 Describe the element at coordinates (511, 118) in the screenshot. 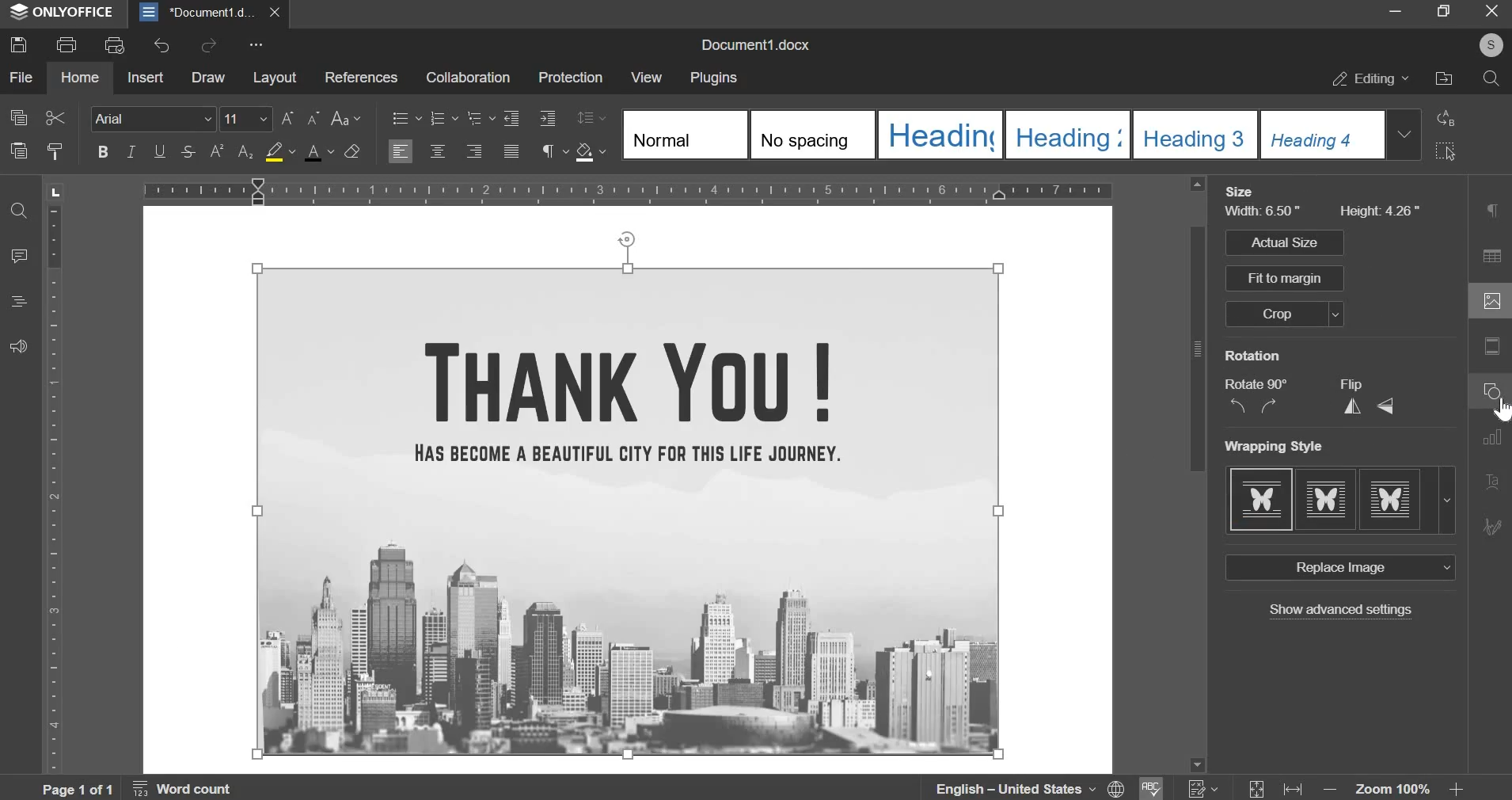

I see `decrease indent` at that location.